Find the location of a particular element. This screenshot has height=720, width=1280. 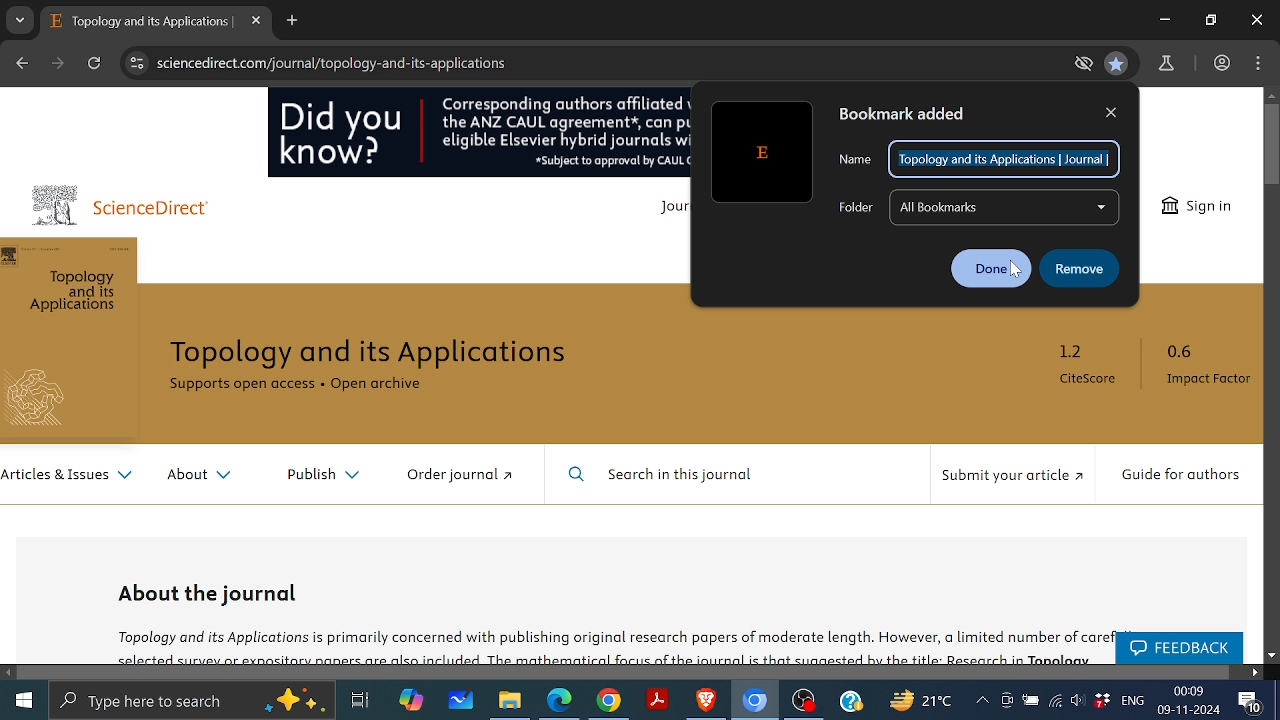

00:09 09-11-2024 is located at coordinates (1189, 701).